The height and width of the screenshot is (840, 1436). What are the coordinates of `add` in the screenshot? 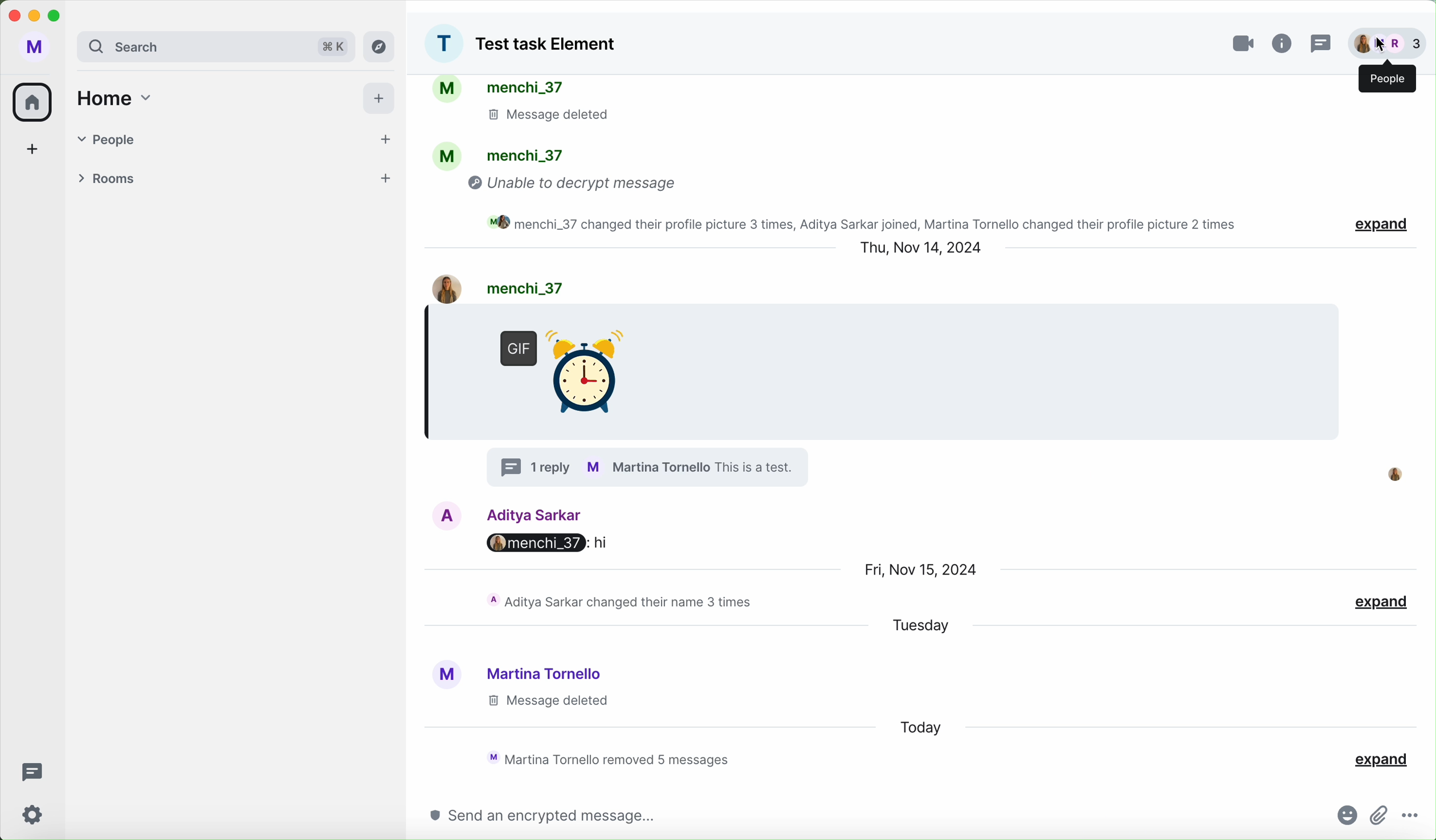 It's located at (385, 180).